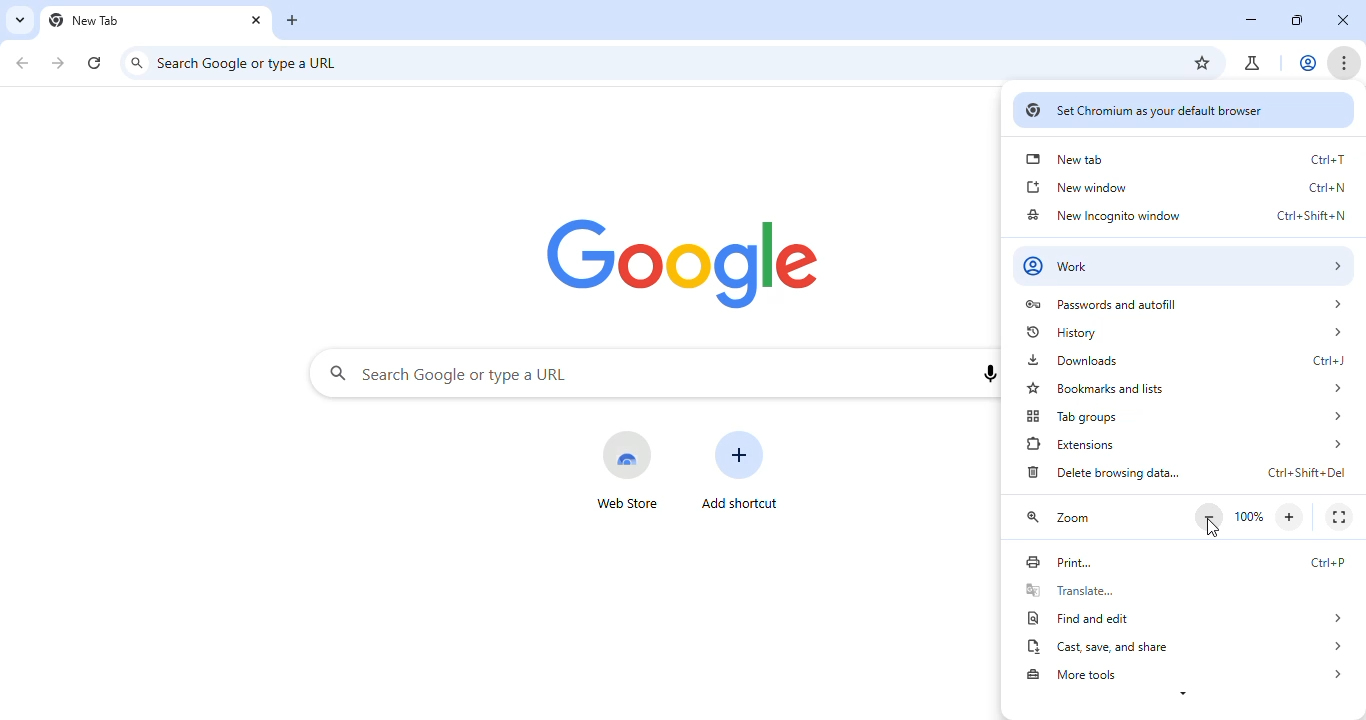  Describe the element at coordinates (22, 61) in the screenshot. I see `go back` at that location.